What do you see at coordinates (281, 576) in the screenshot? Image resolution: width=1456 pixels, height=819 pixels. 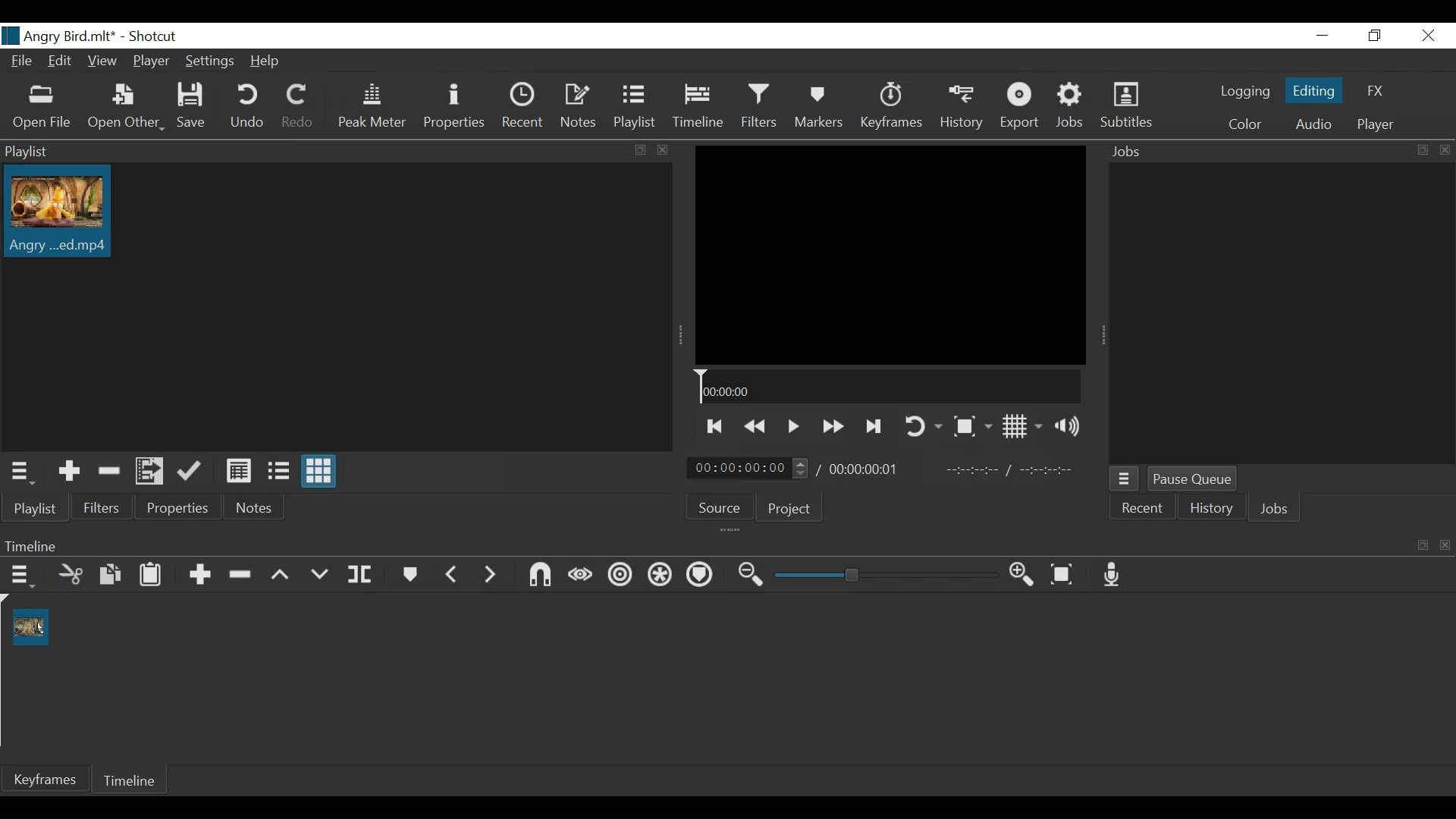 I see `lift` at bounding box center [281, 576].